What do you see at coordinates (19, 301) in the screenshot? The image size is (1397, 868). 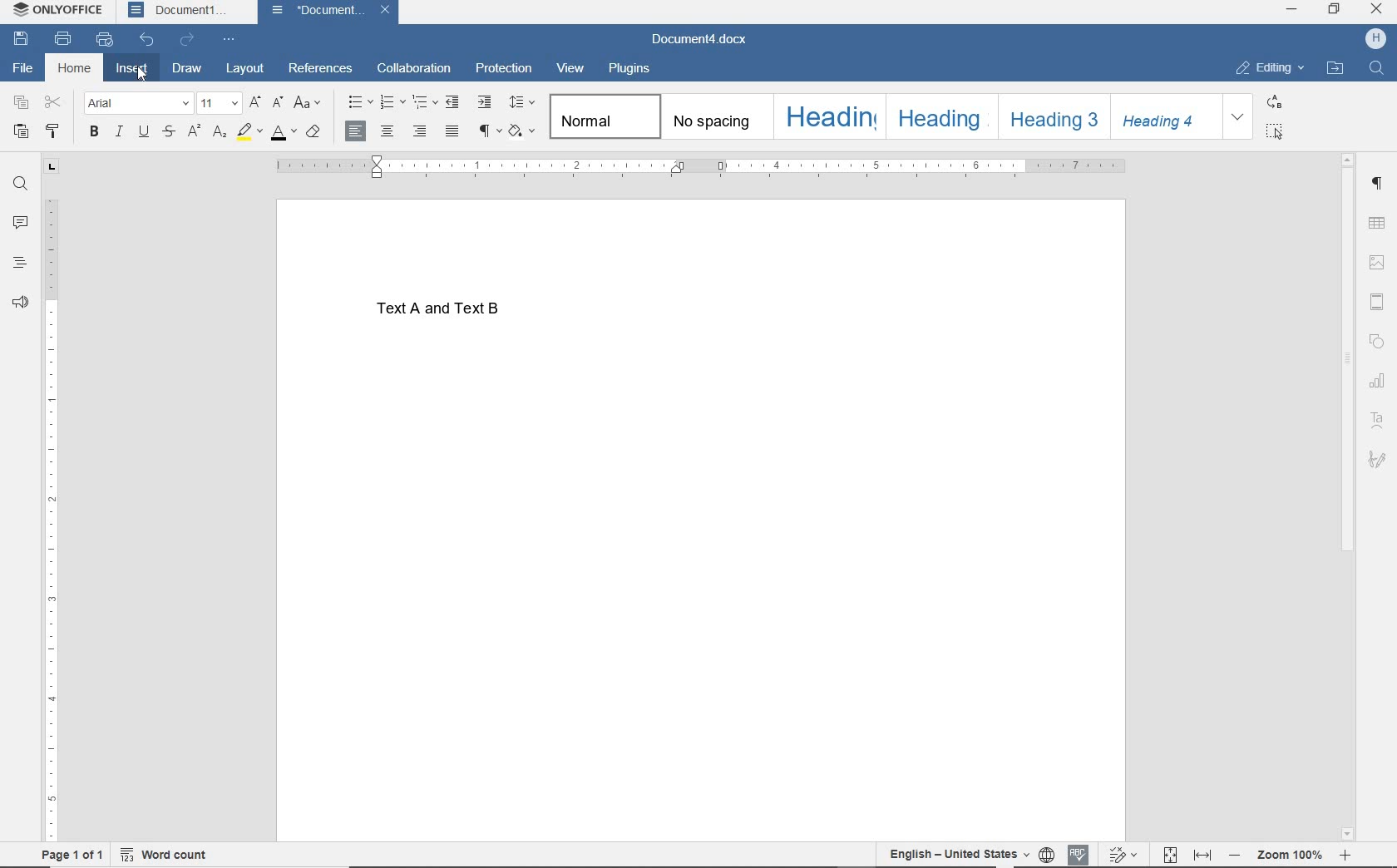 I see `FEEDBACK & SUPPORT` at bounding box center [19, 301].